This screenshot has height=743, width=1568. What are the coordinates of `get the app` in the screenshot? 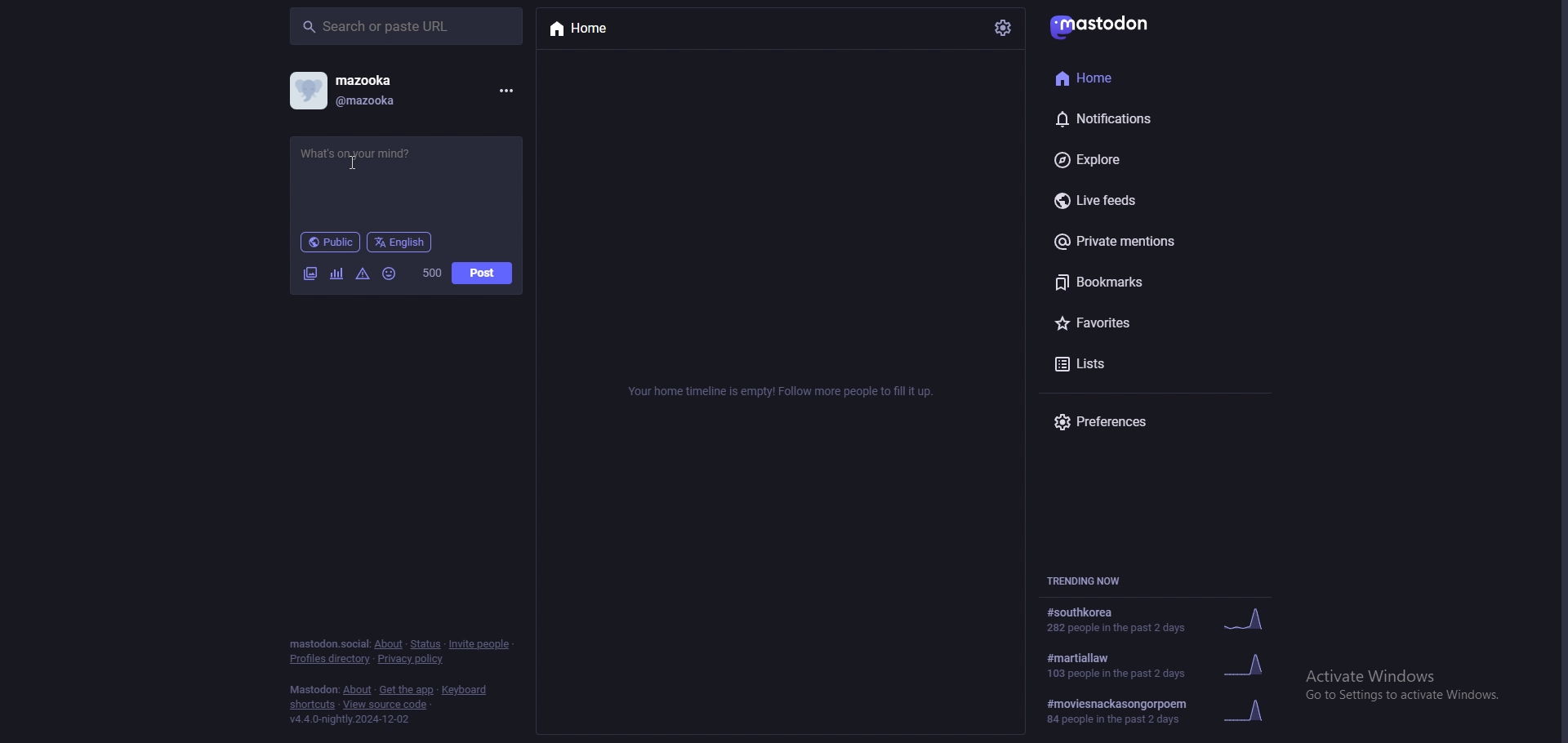 It's located at (407, 690).